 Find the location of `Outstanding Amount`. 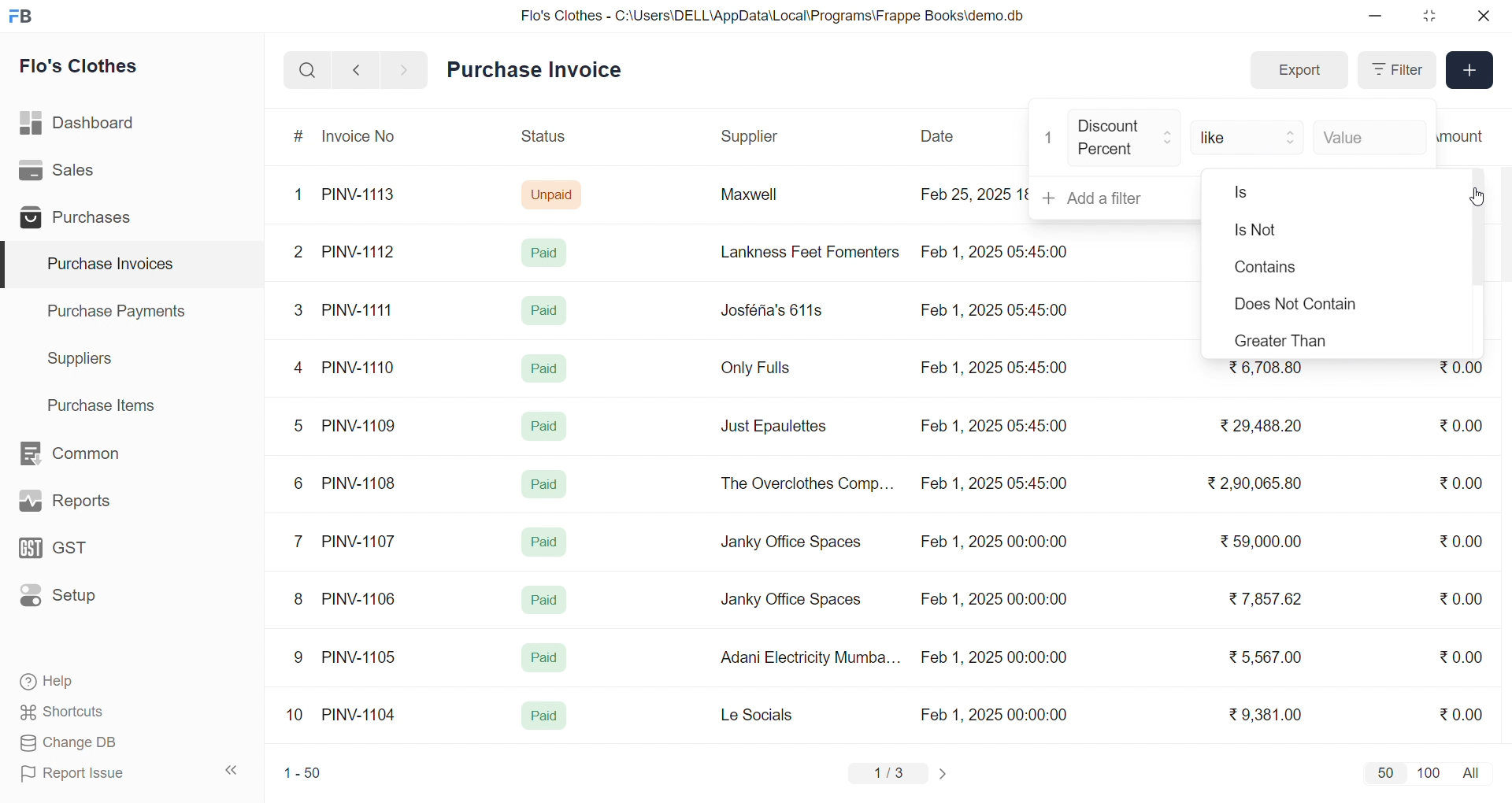

Outstanding Amount is located at coordinates (1469, 135).